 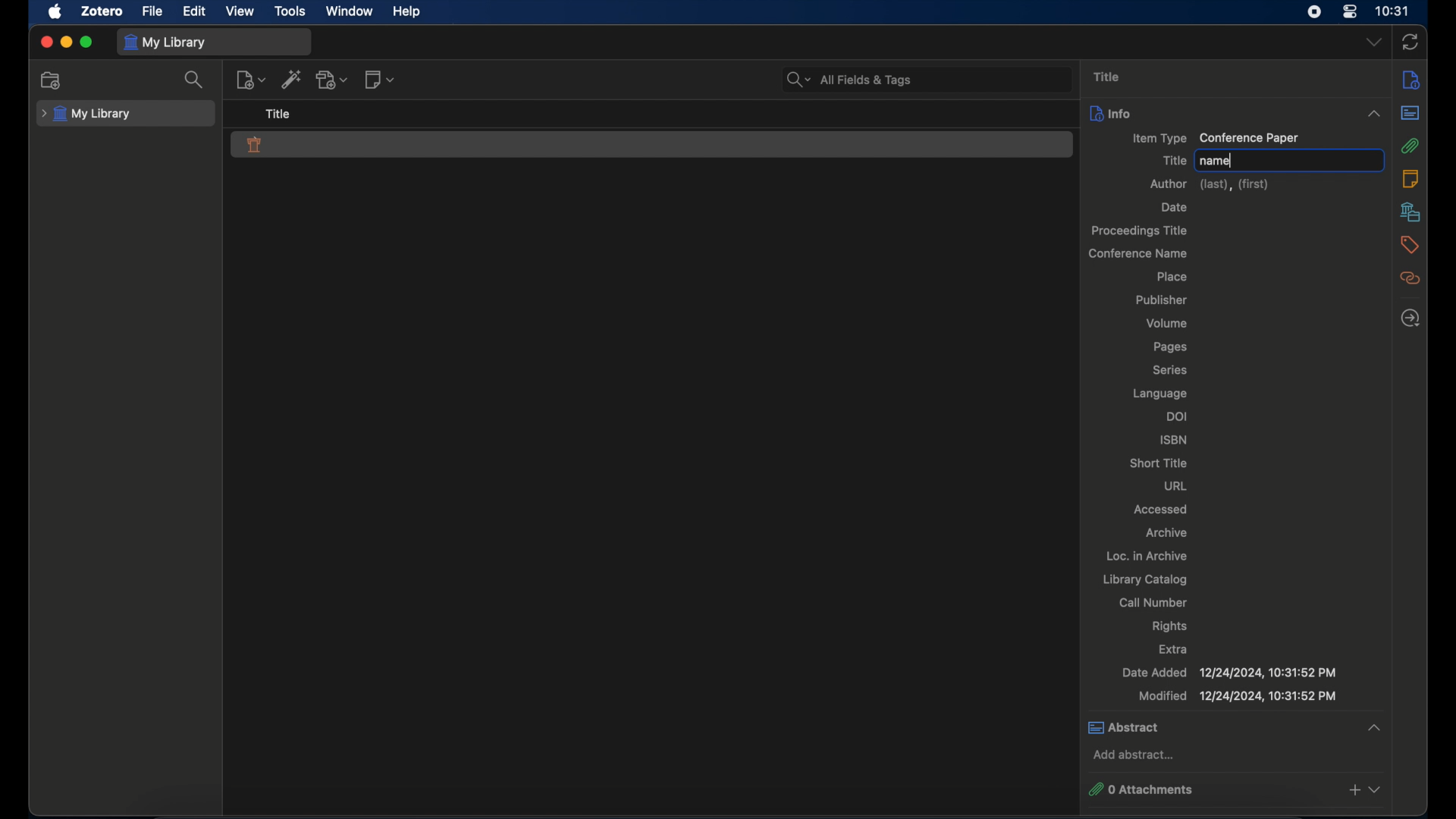 I want to click on notes, so click(x=1410, y=178).